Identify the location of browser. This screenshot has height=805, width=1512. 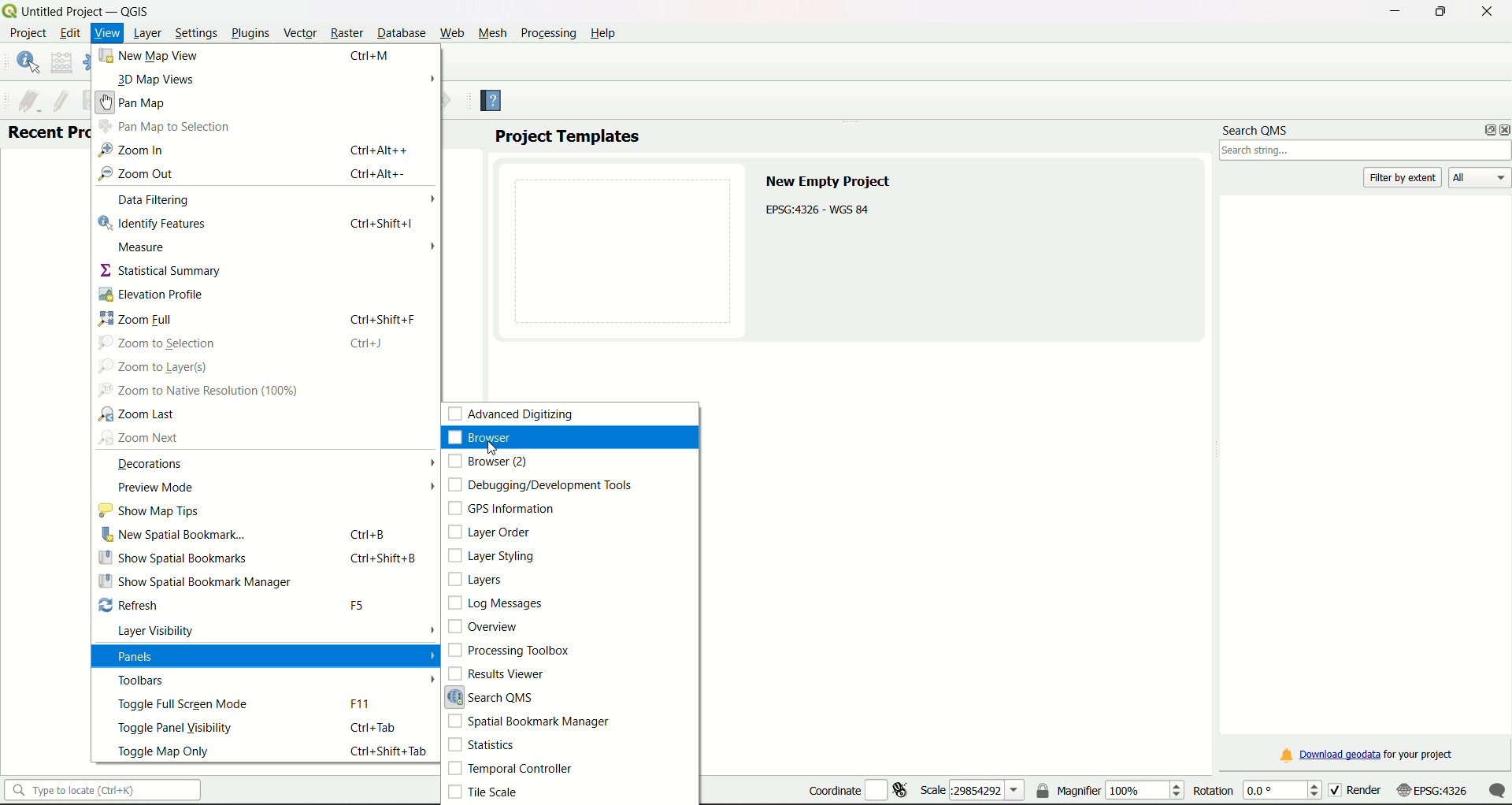
(488, 440).